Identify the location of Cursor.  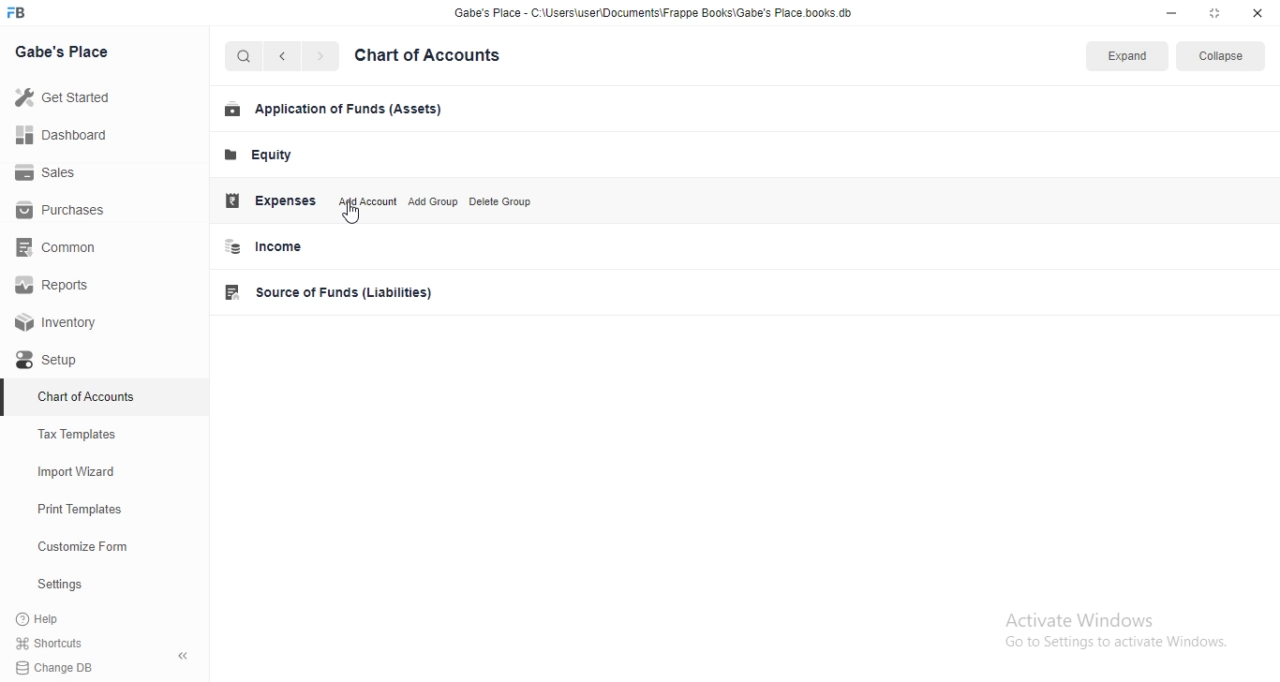
(364, 214).